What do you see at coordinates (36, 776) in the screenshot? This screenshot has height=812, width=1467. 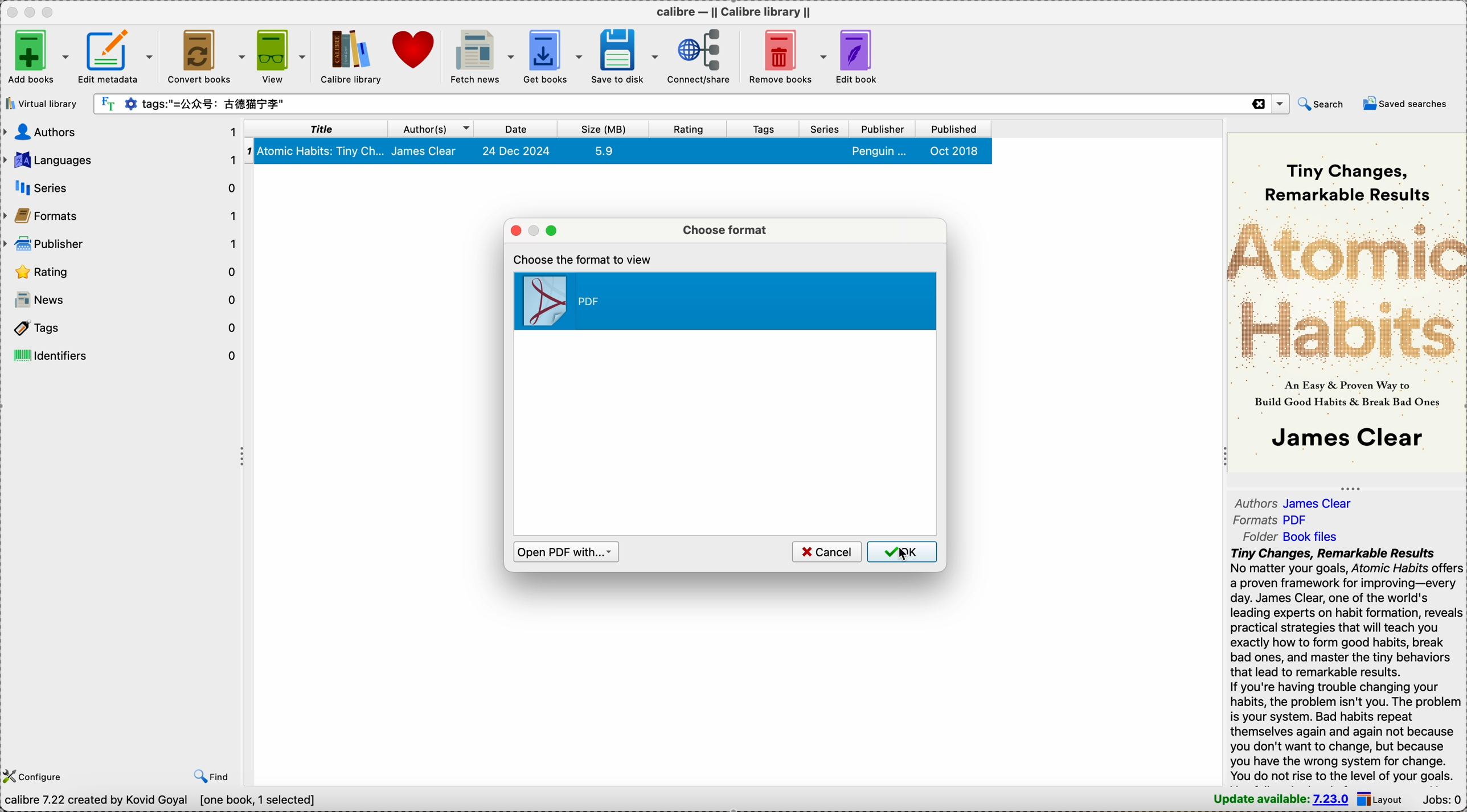 I see `configure` at bounding box center [36, 776].